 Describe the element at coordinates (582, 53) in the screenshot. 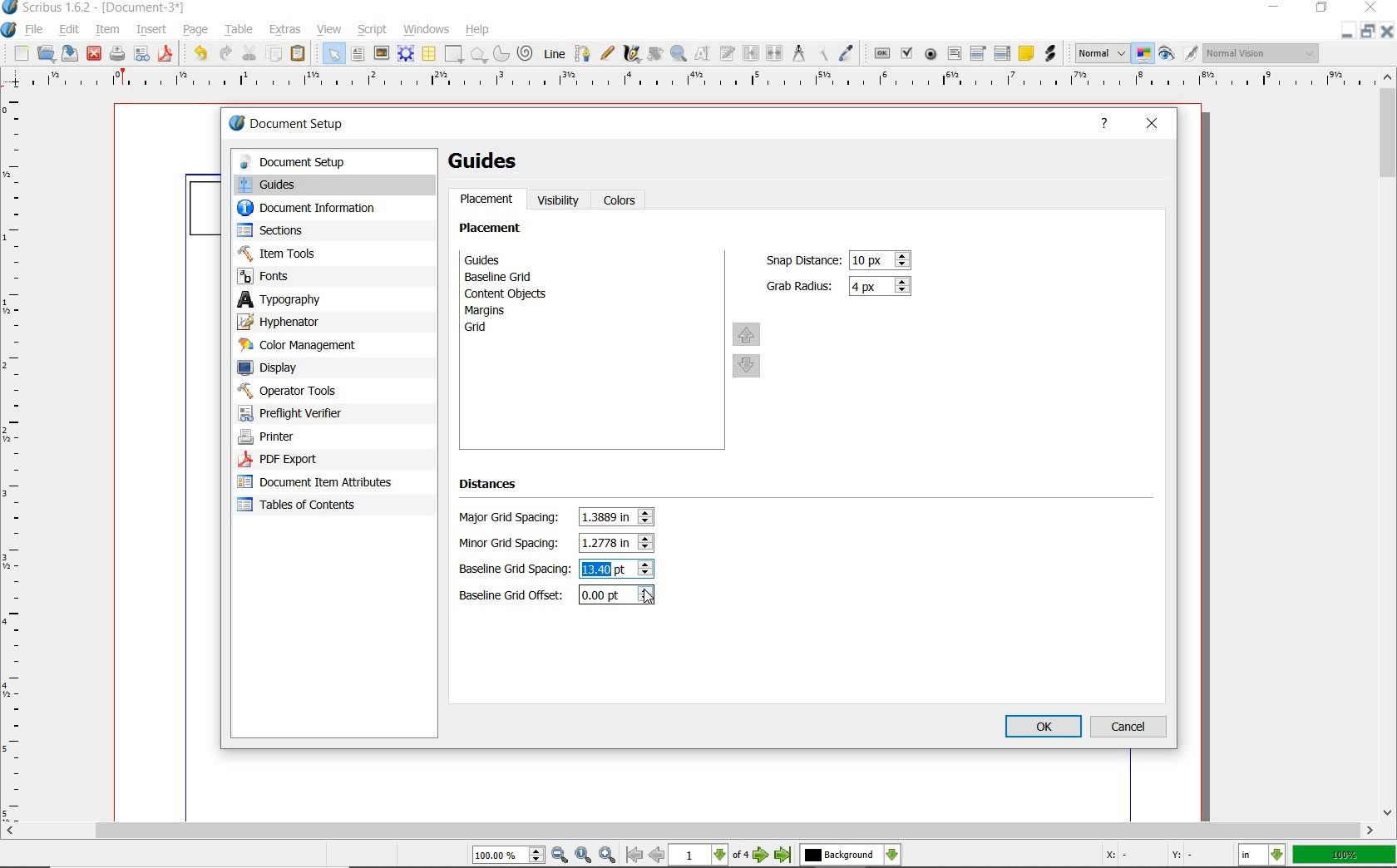

I see `Bezier curve` at that location.